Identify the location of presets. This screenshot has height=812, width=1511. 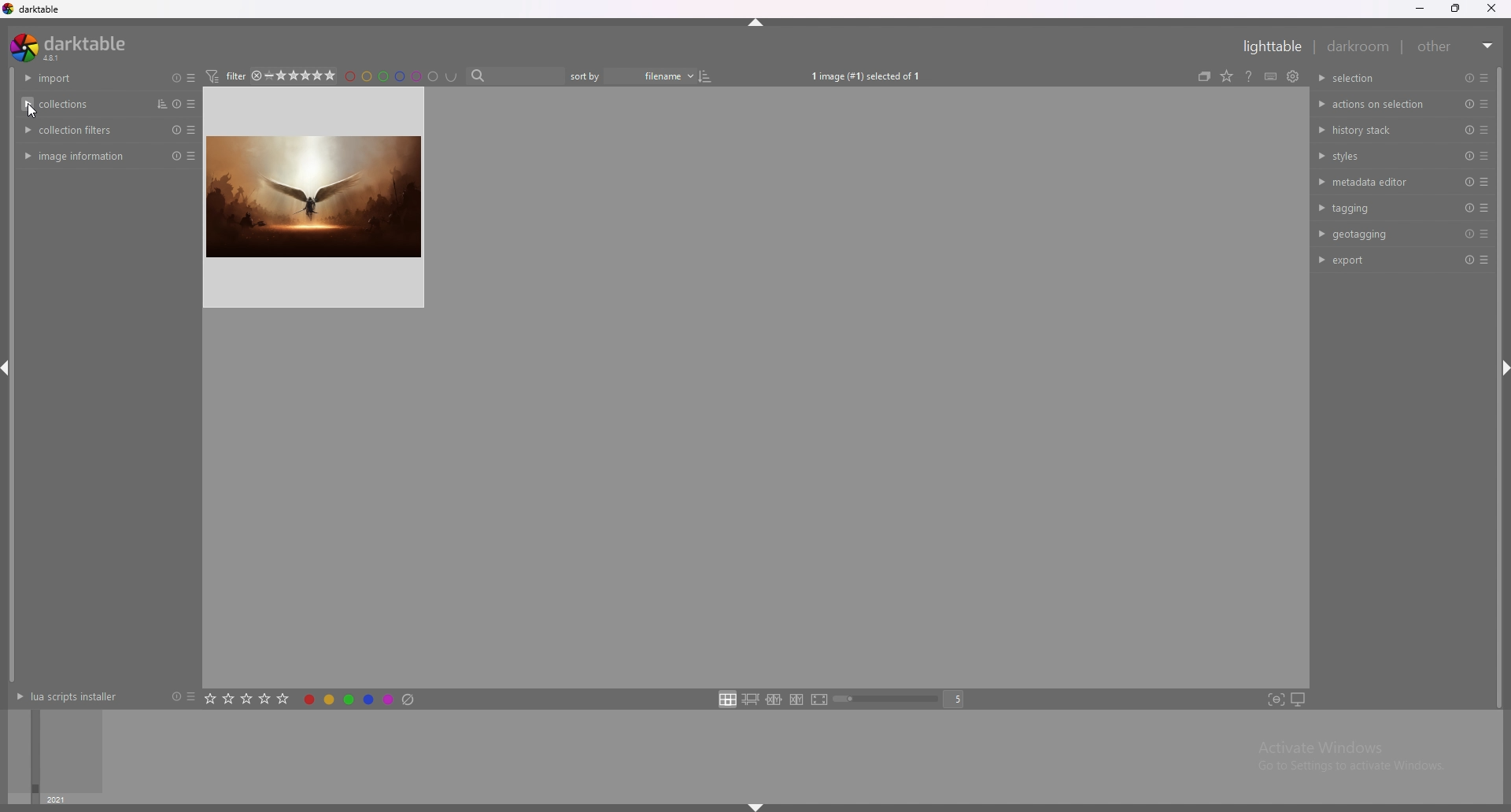
(1484, 155).